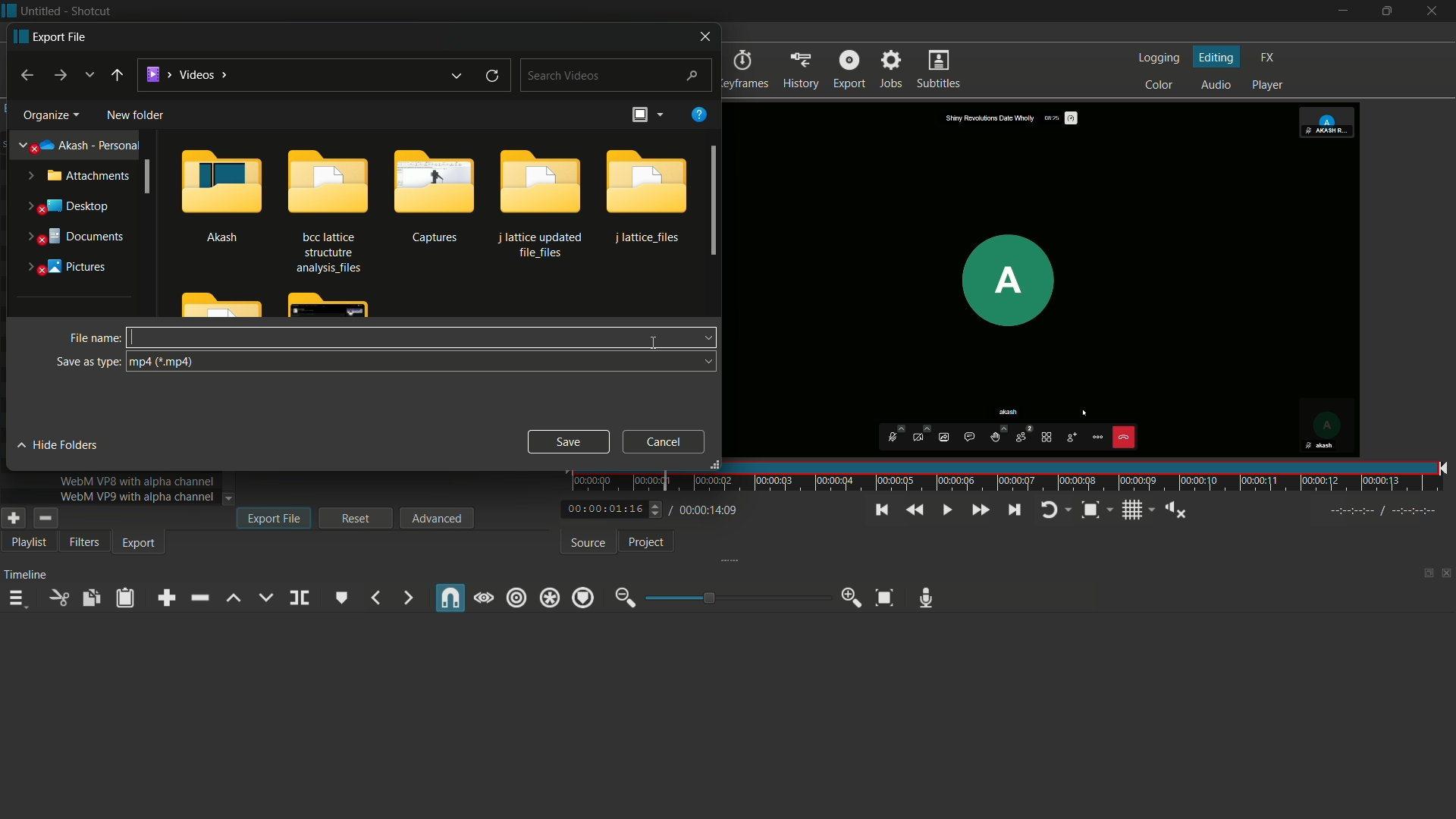 The image size is (1456, 819). Describe the element at coordinates (1175, 510) in the screenshot. I see `show volume control` at that location.